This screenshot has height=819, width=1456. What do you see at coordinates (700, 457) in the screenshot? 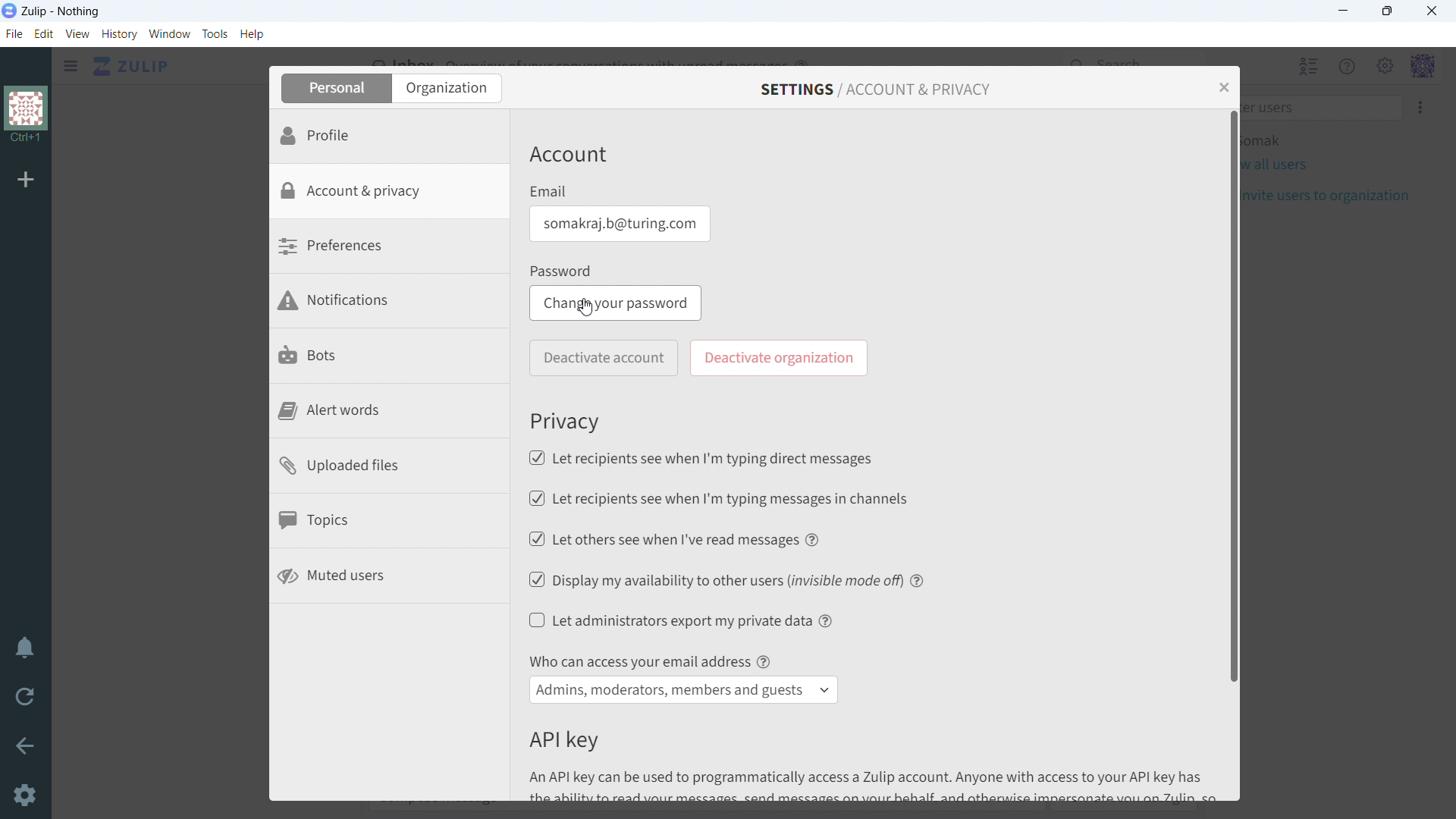
I see `let recipients see when i'm typing direct messages` at bounding box center [700, 457].